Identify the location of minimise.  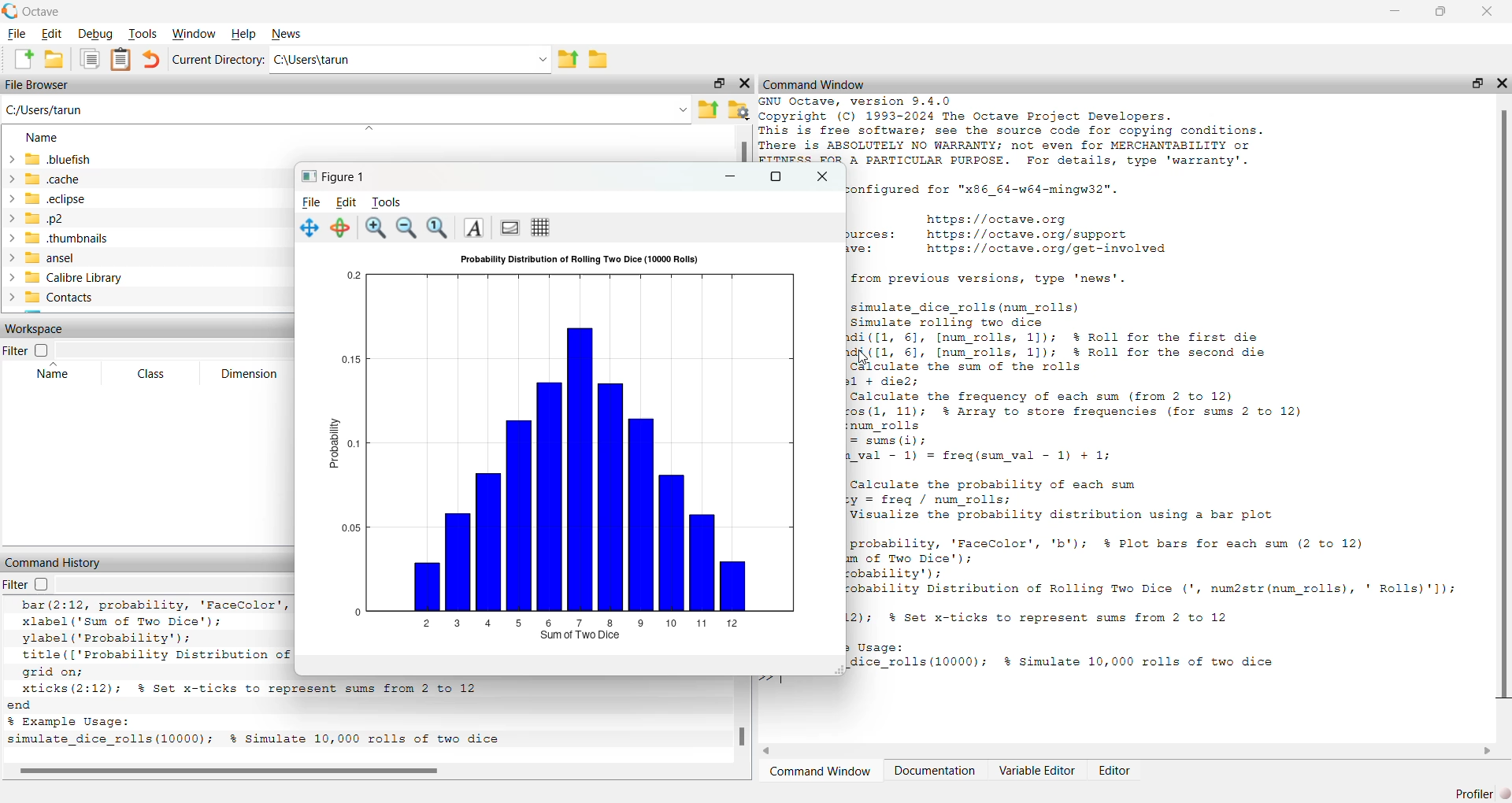
(1399, 12).